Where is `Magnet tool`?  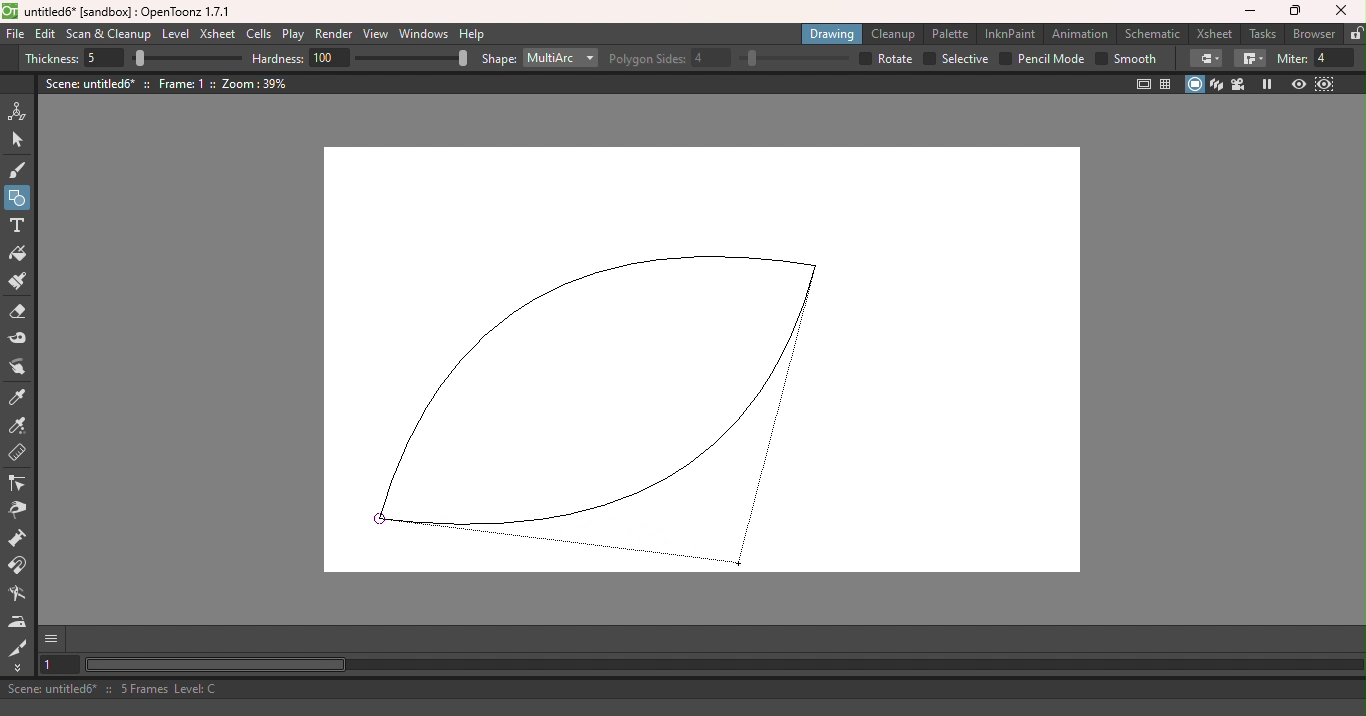
Magnet tool is located at coordinates (20, 567).